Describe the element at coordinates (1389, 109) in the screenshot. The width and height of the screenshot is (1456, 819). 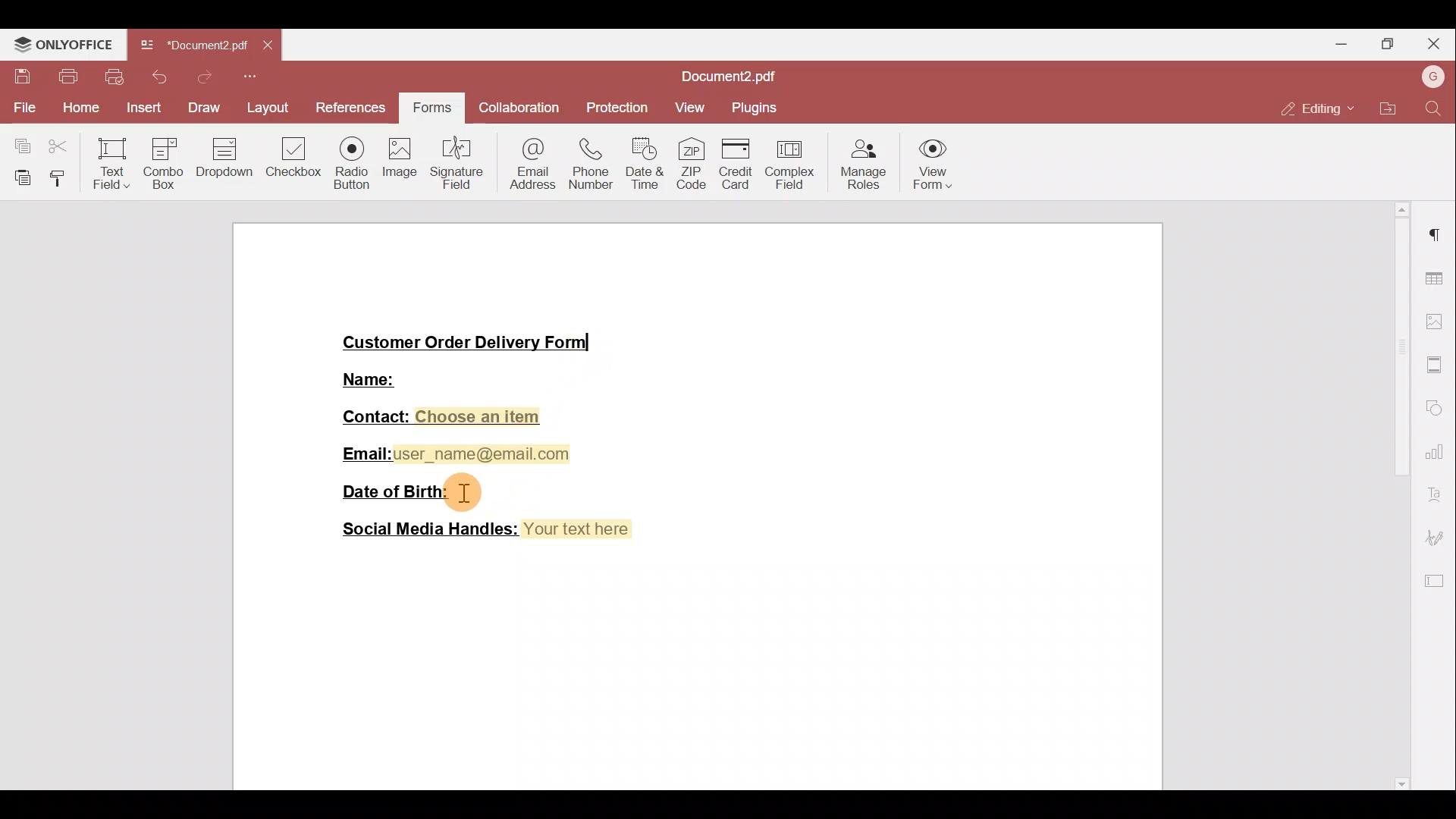
I see `Open file location` at that location.